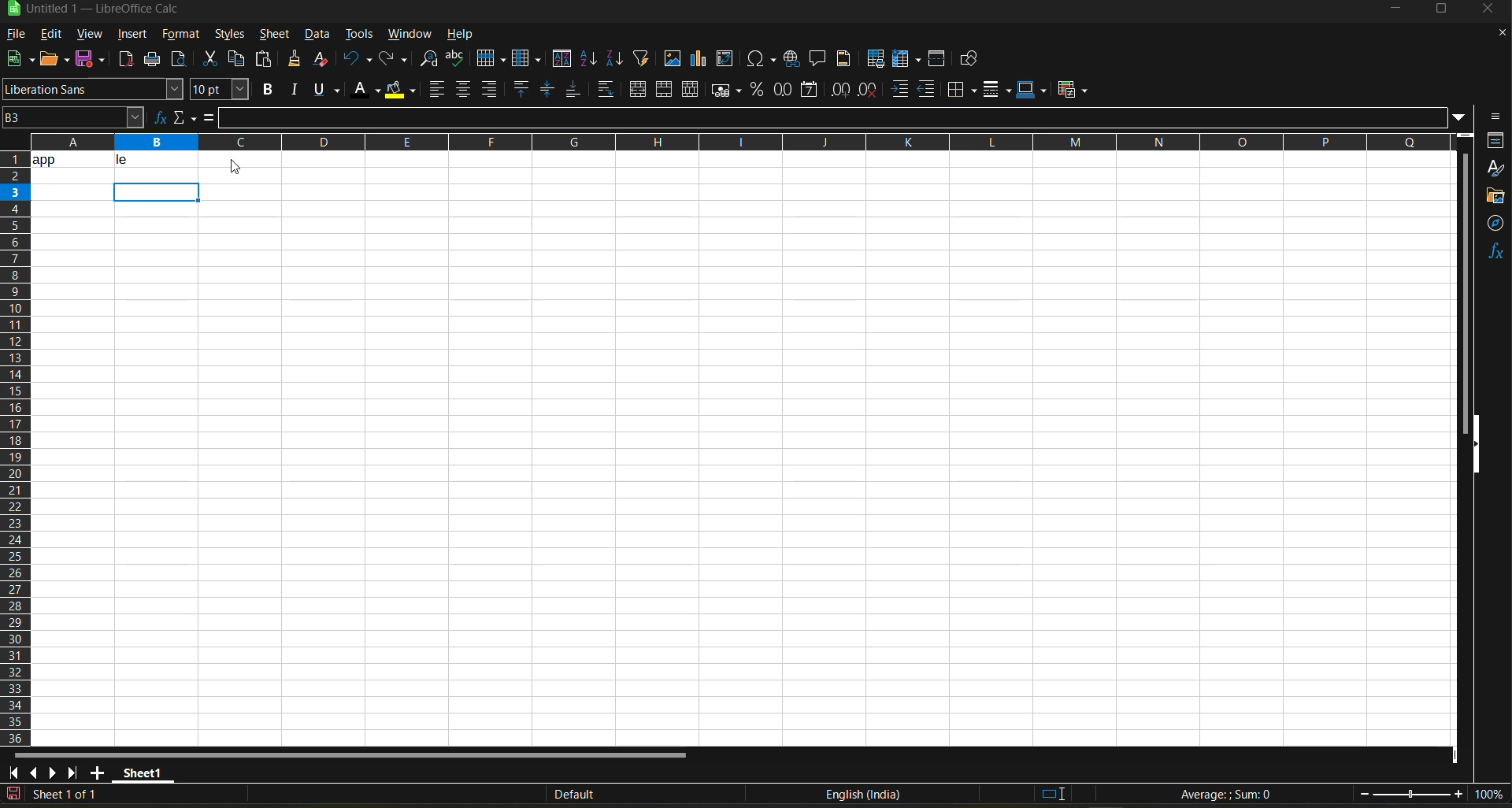 This screenshot has height=808, width=1512. What do you see at coordinates (840, 91) in the screenshot?
I see `add decimal place` at bounding box center [840, 91].